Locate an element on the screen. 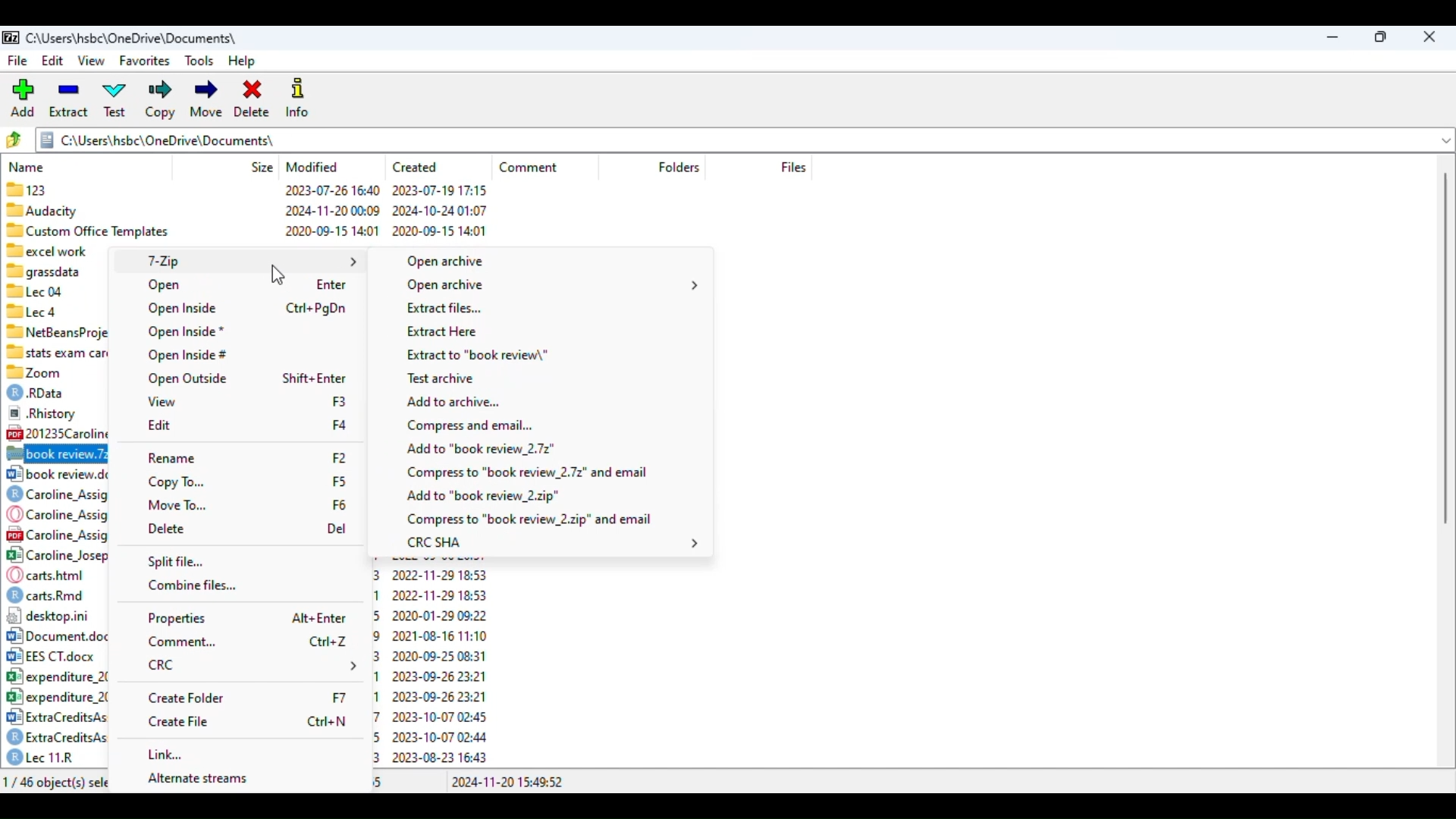 The width and height of the screenshot is (1456, 819). 12] desktop.ini 418 2024-11-11 14:55 2020-01-29 09:22 is located at coordinates (55, 615).